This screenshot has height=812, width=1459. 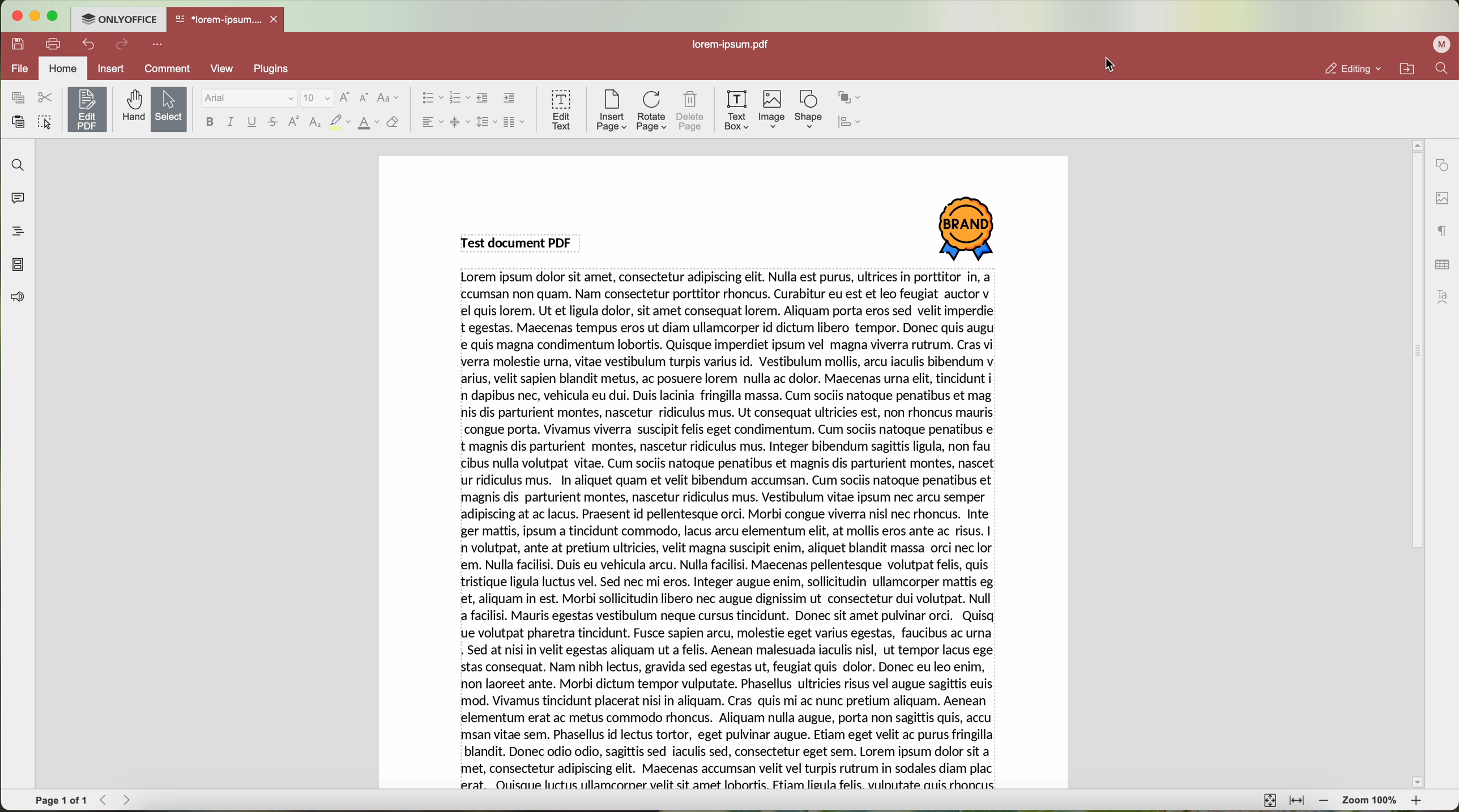 What do you see at coordinates (483, 98) in the screenshot?
I see `decrease indent` at bounding box center [483, 98].